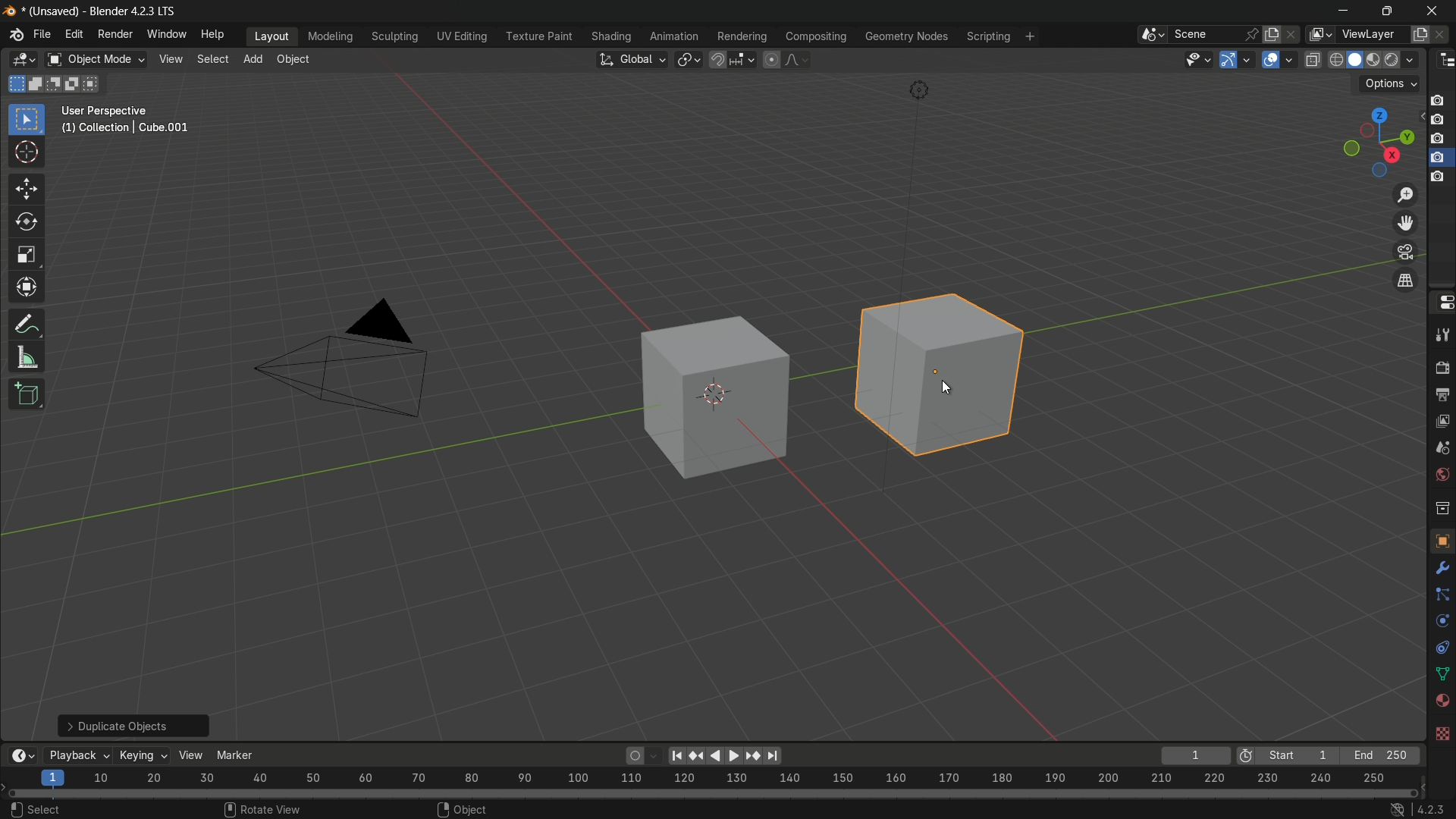  Describe the element at coordinates (1386, 10) in the screenshot. I see `maximize or restore` at that location.